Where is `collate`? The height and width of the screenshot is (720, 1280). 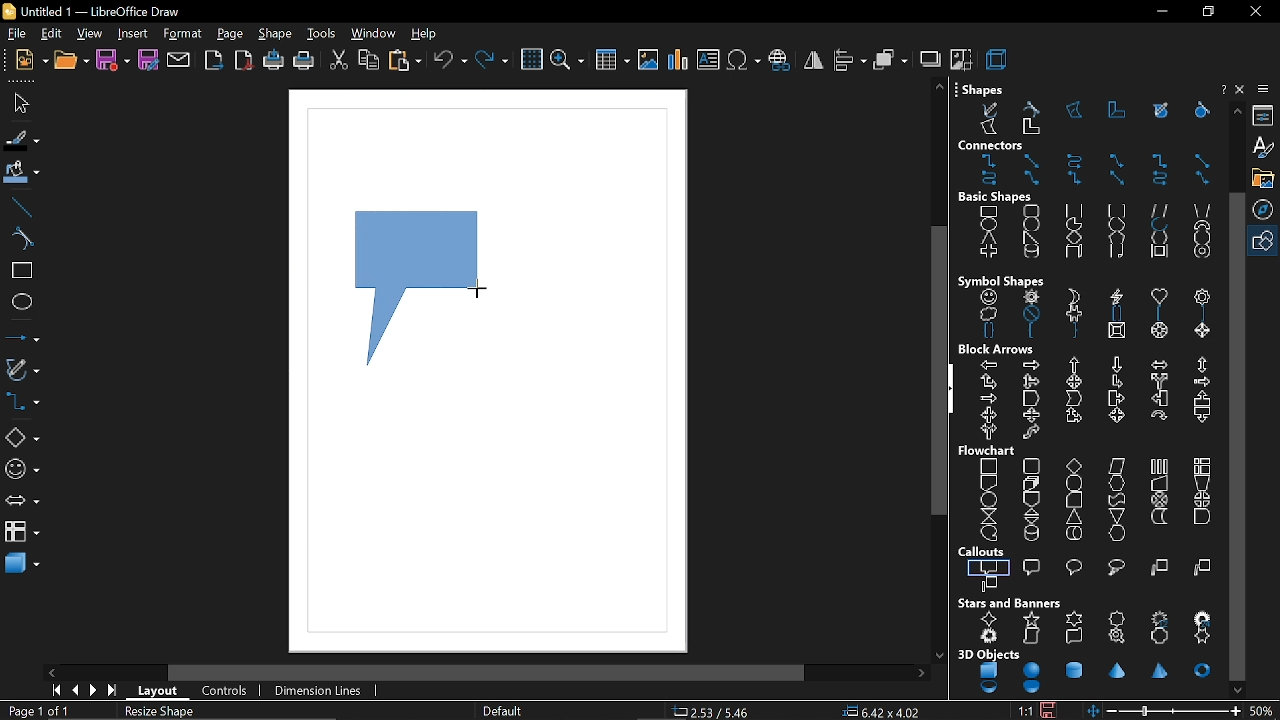 collate is located at coordinates (986, 516).